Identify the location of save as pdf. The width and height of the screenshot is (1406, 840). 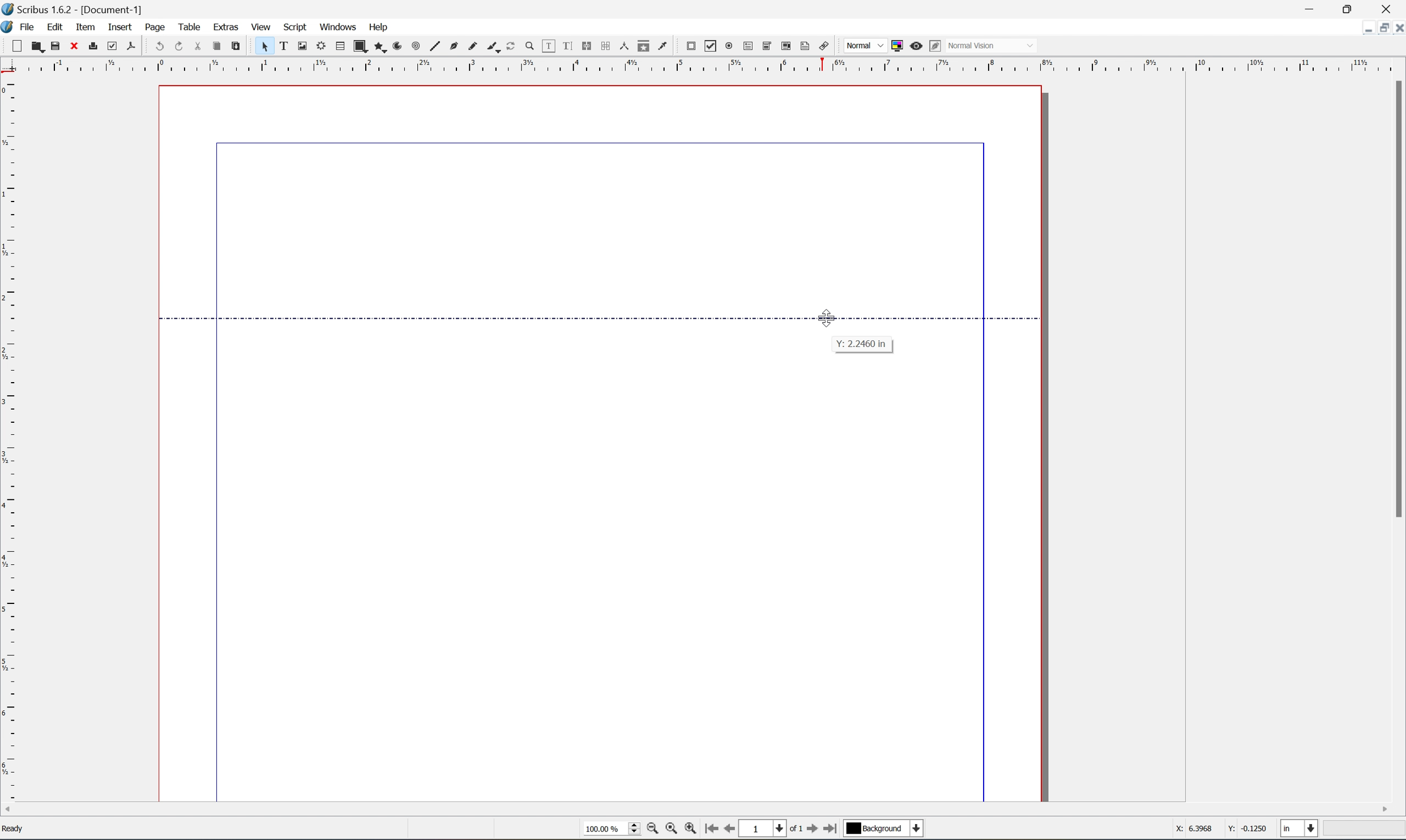
(132, 47).